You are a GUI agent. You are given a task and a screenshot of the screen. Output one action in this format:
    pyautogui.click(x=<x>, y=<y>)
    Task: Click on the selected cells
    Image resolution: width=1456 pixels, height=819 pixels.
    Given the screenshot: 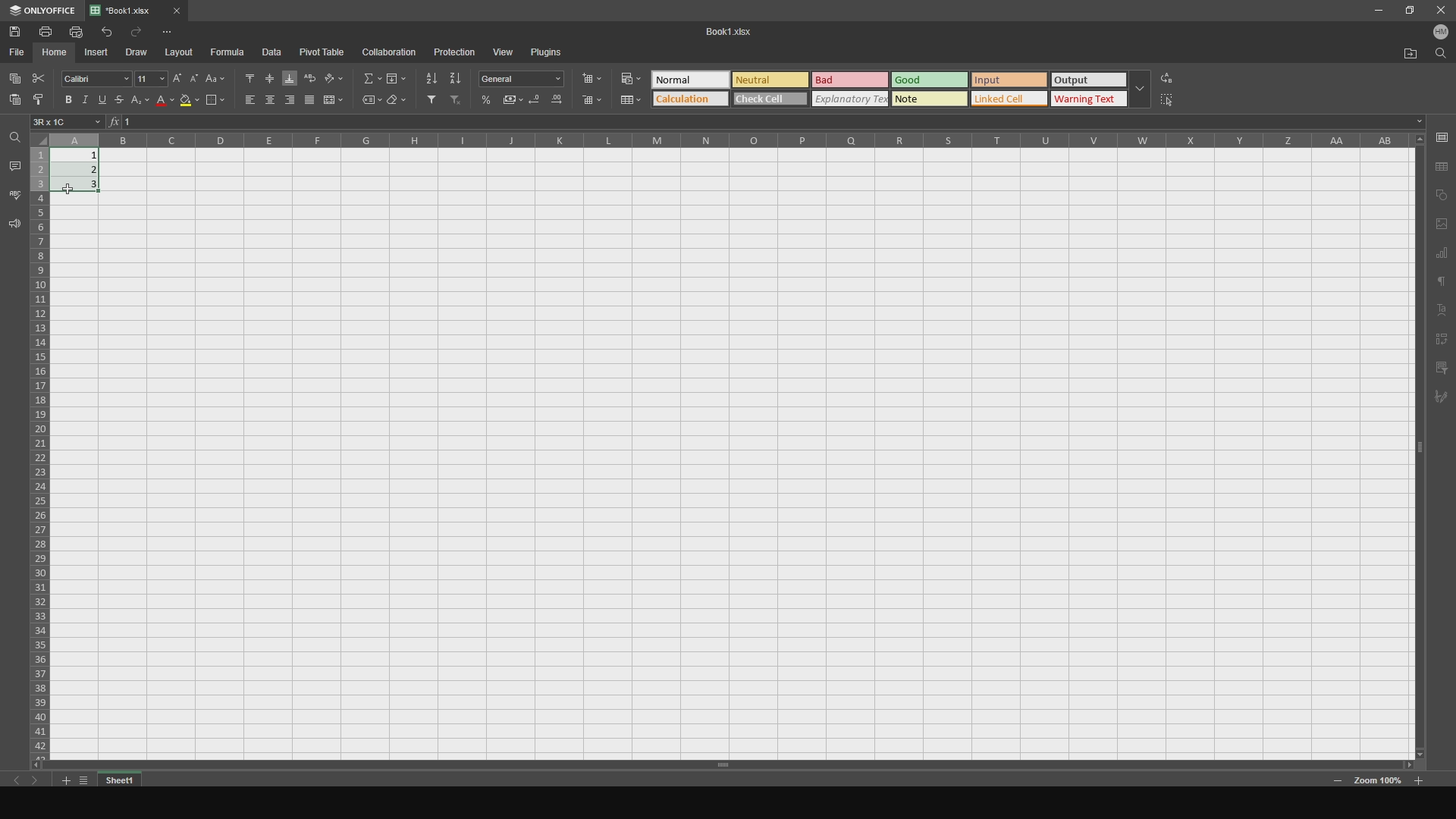 What is the action you would take?
    pyautogui.click(x=86, y=177)
    